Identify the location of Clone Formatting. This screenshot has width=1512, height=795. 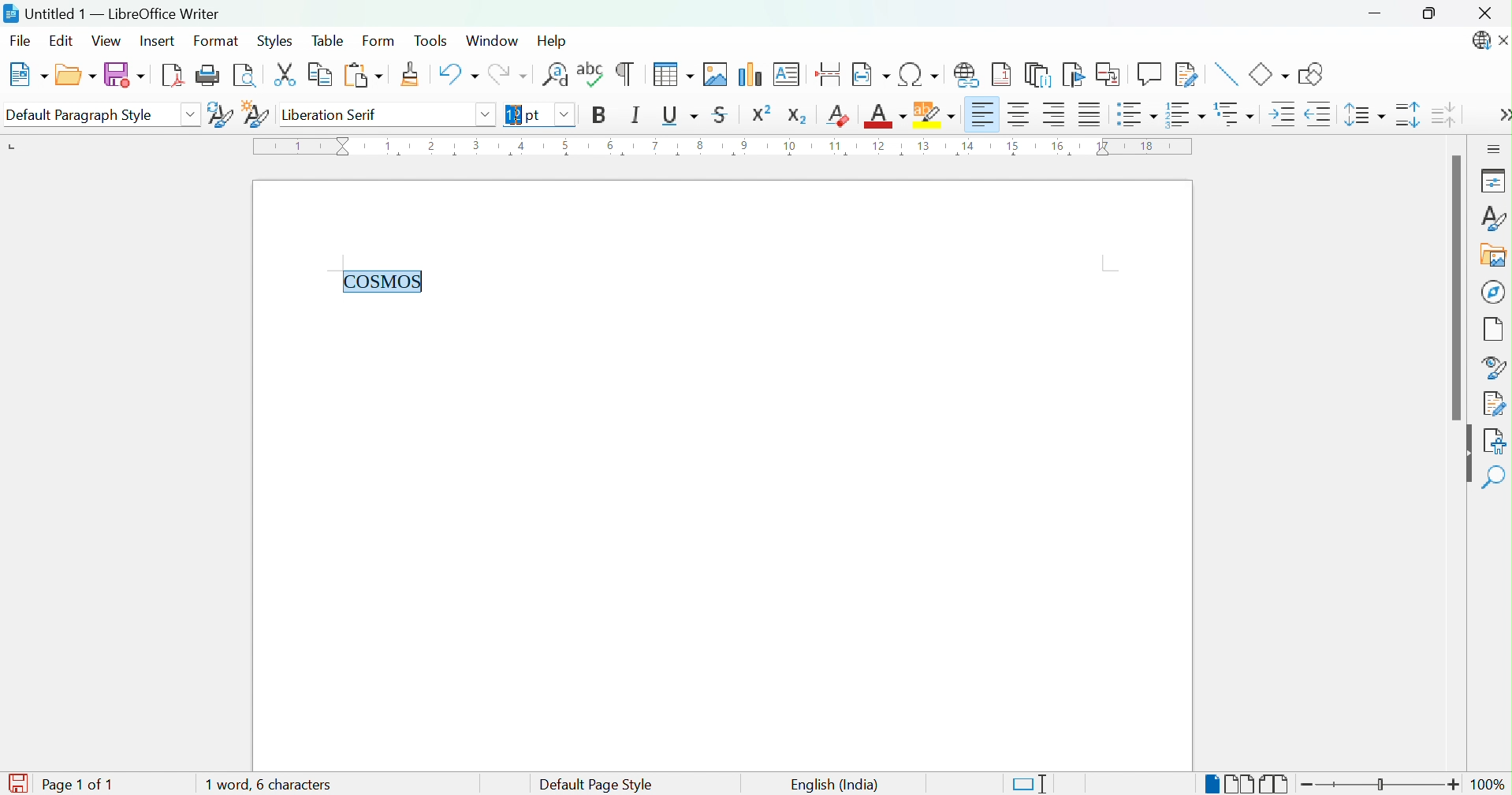
(413, 75).